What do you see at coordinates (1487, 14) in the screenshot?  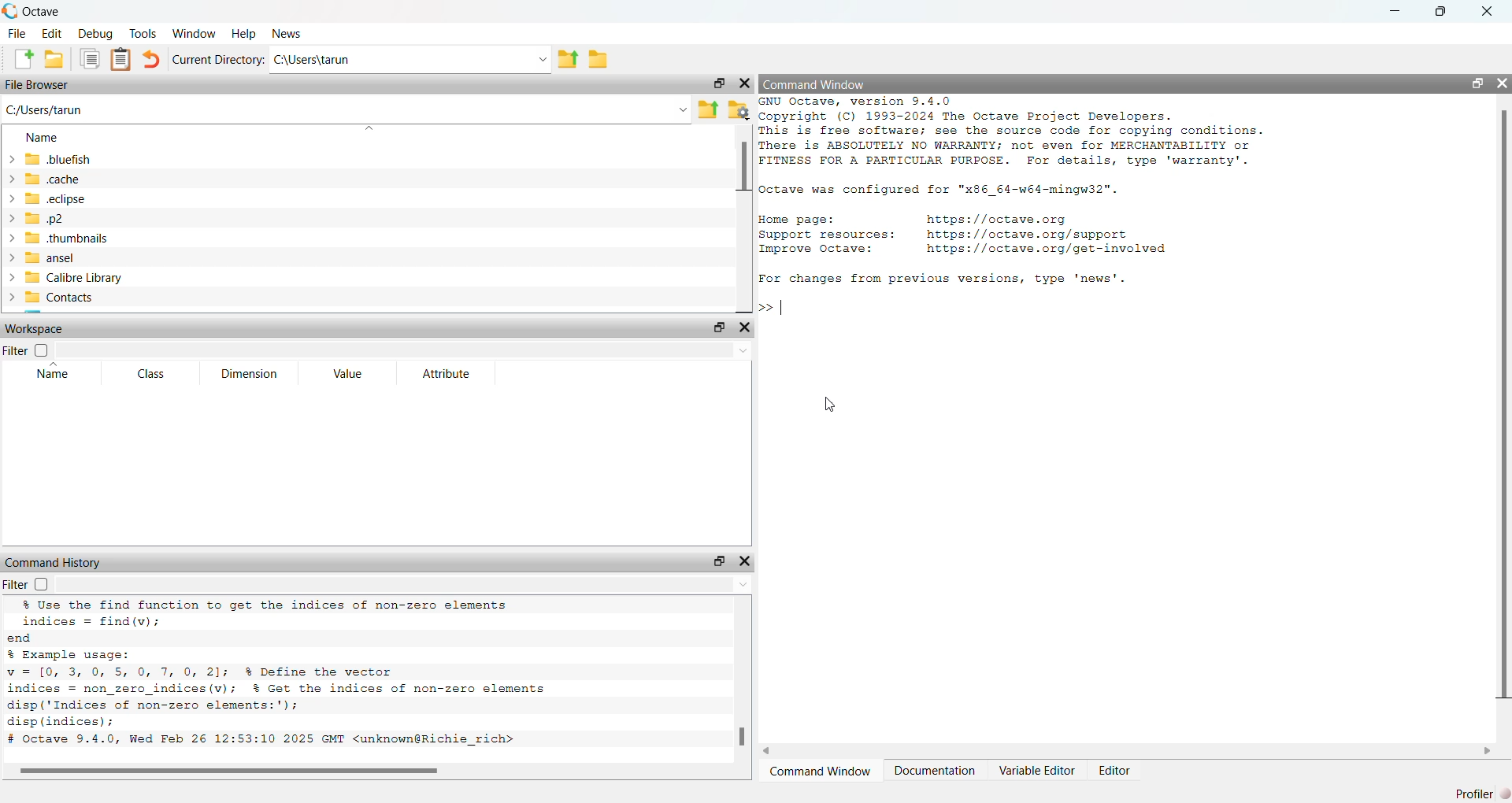 I see `close` at bounding box center [1487, 14].